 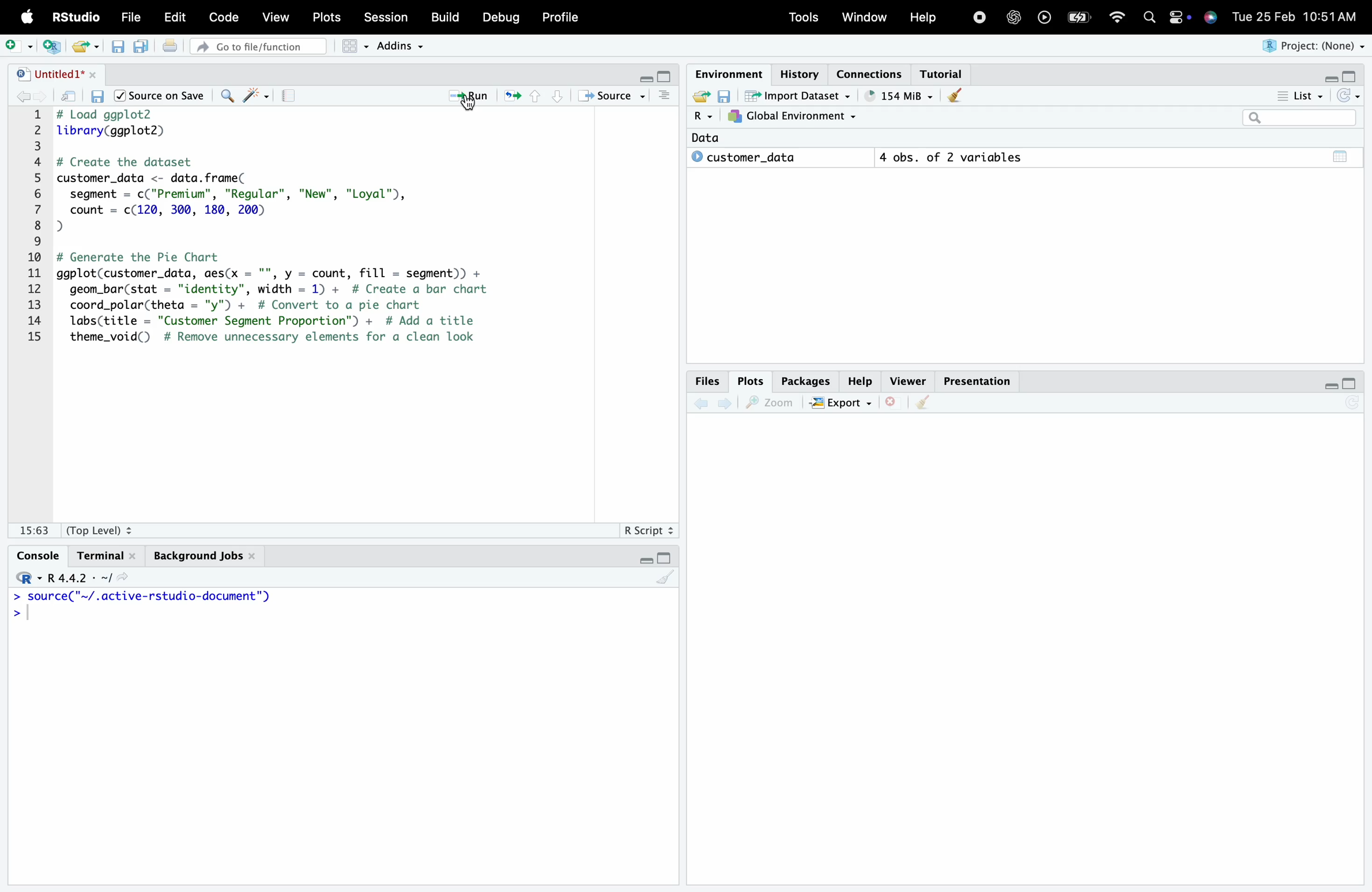 What do you see at coordinates (255, 97) in the screenshot?
I see `reformat code` at bounding box center [255, 97].